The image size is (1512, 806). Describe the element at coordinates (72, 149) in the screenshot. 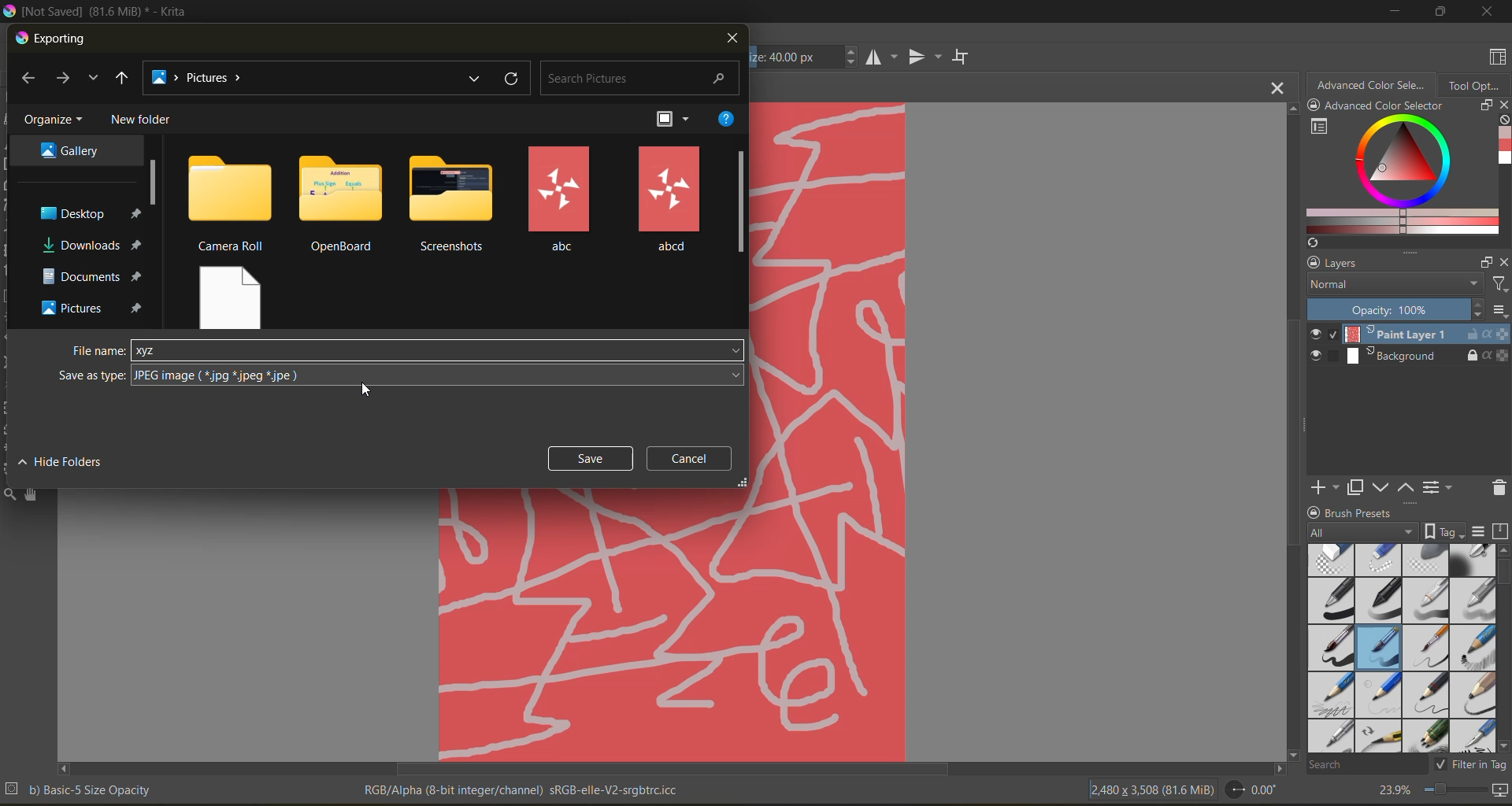

I see `folder destination` at that location.